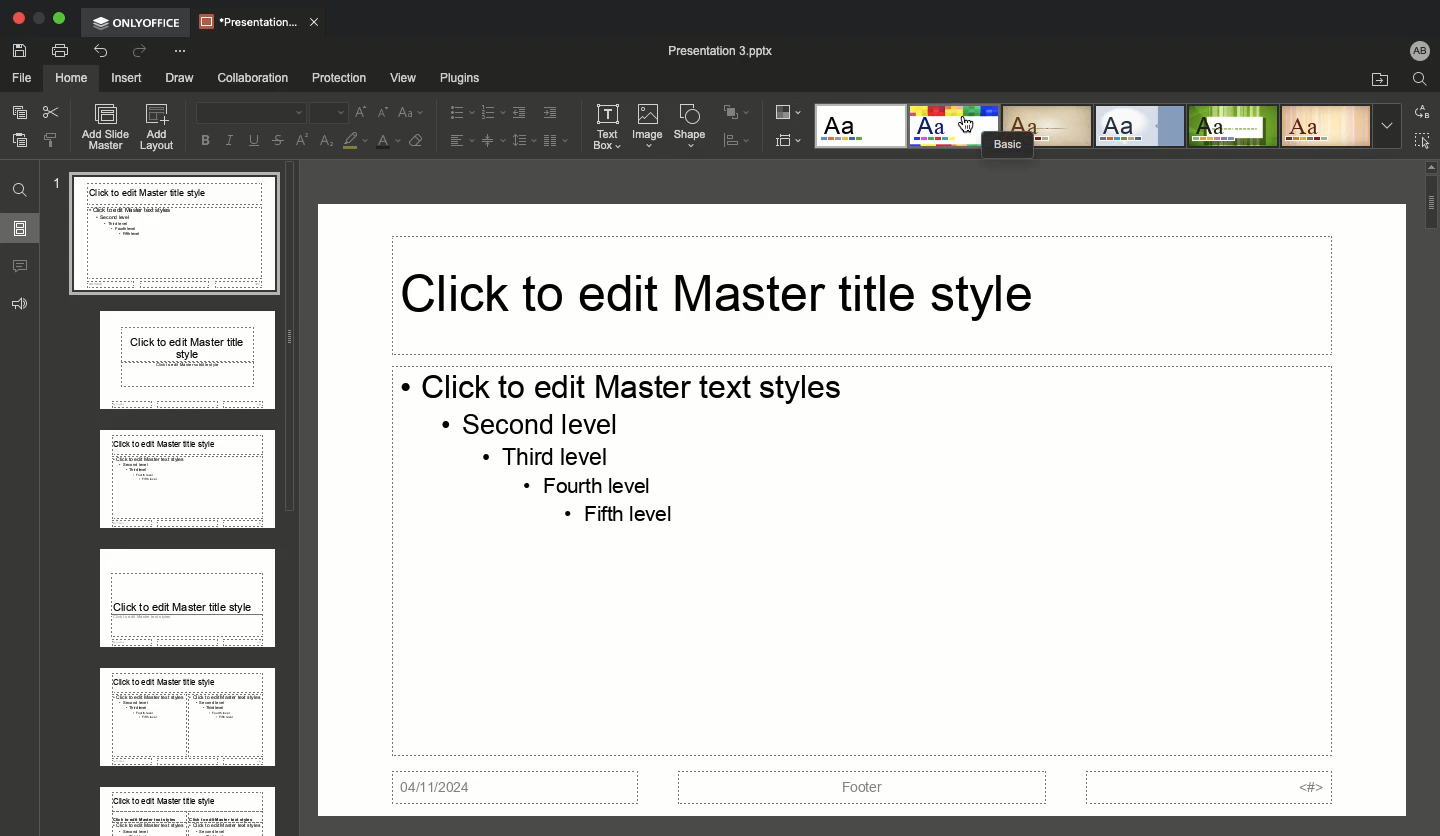  I want to click on Change case, so click(408, 111).